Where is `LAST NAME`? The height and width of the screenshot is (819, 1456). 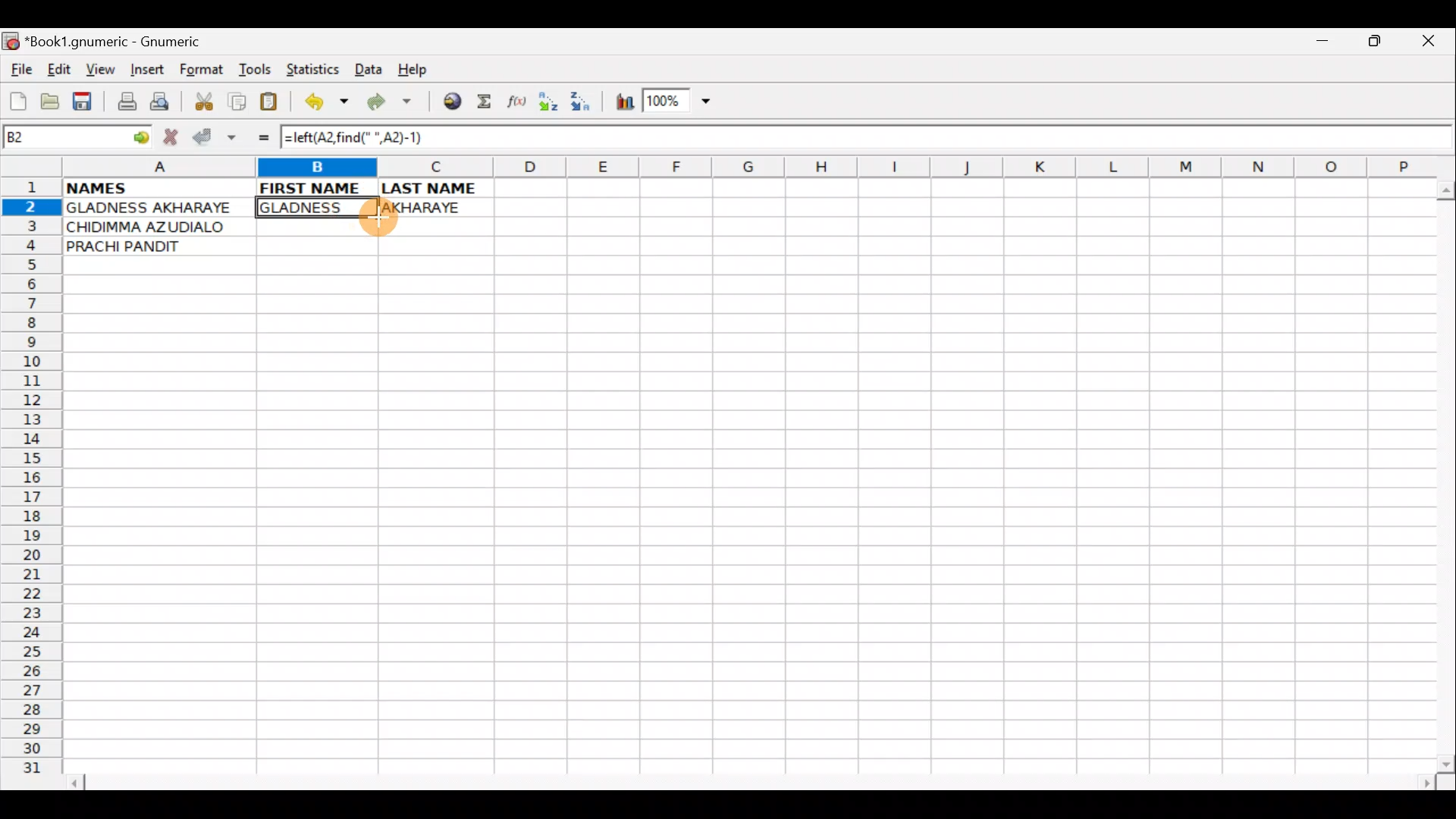
LAST NAME is located at coordinates (437, 188).